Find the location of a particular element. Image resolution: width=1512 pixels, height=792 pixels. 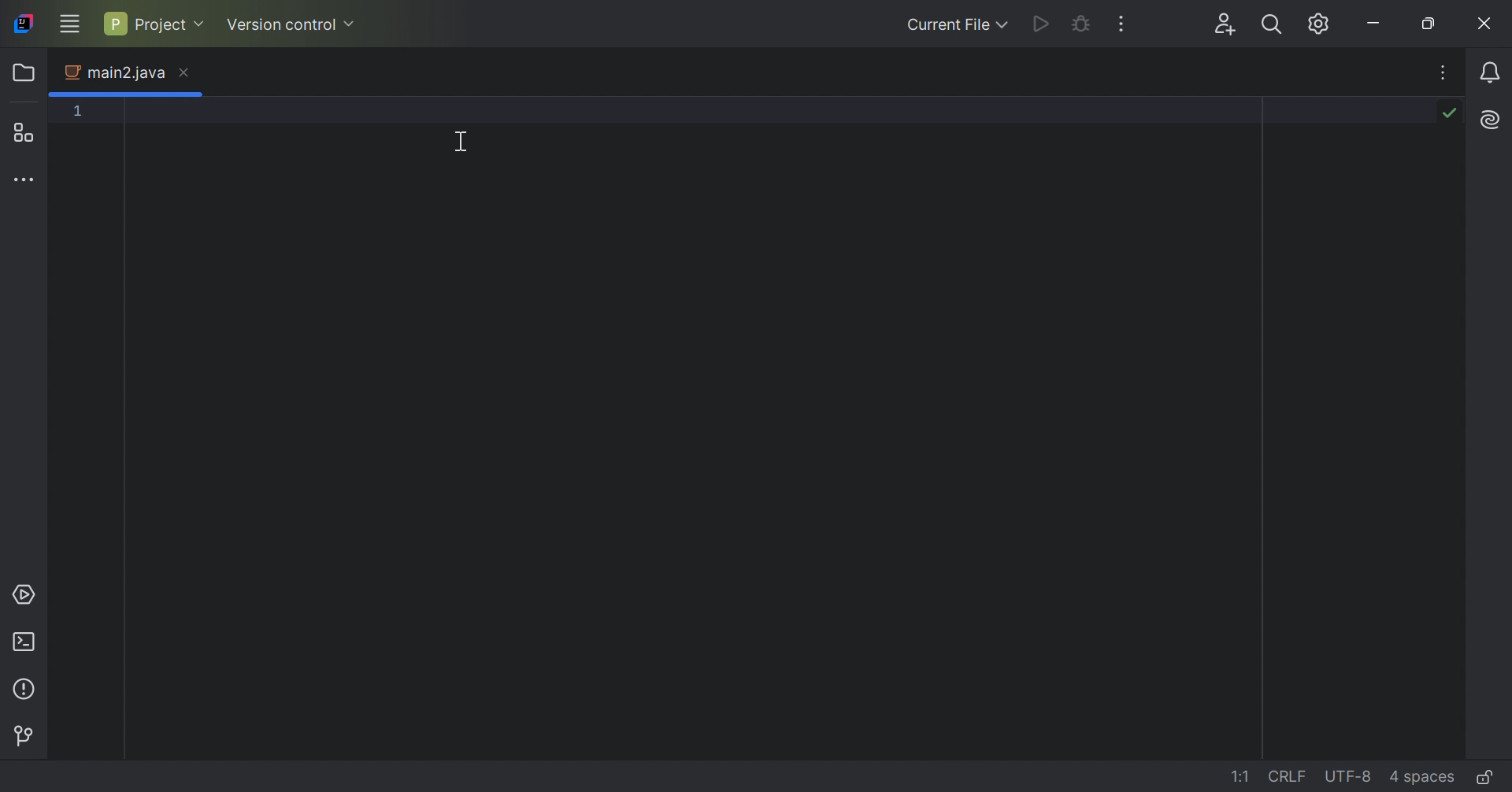

Main Menu is located at coordinates (69, 24).